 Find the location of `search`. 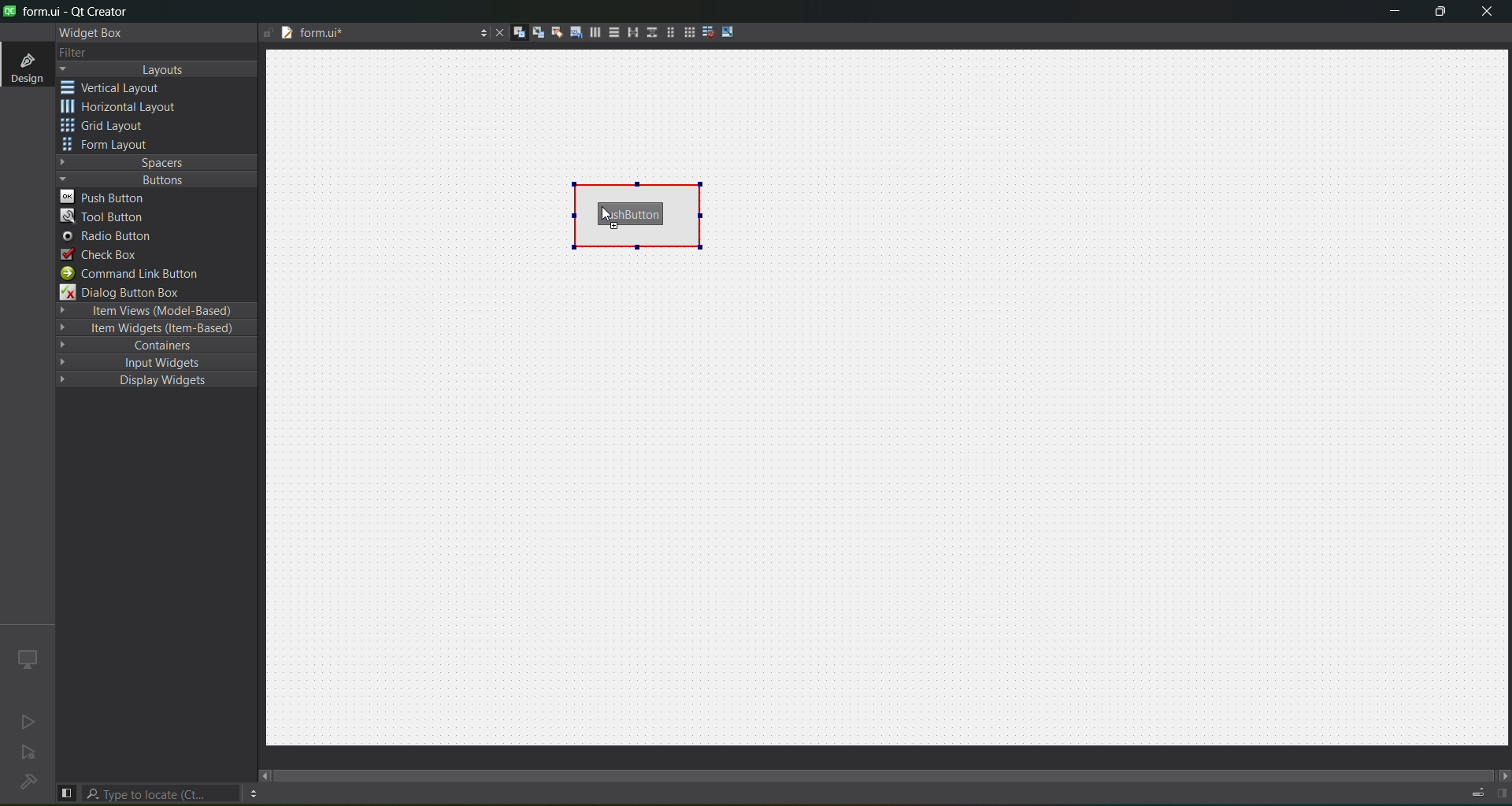

search is located at coordinates (162, 793).